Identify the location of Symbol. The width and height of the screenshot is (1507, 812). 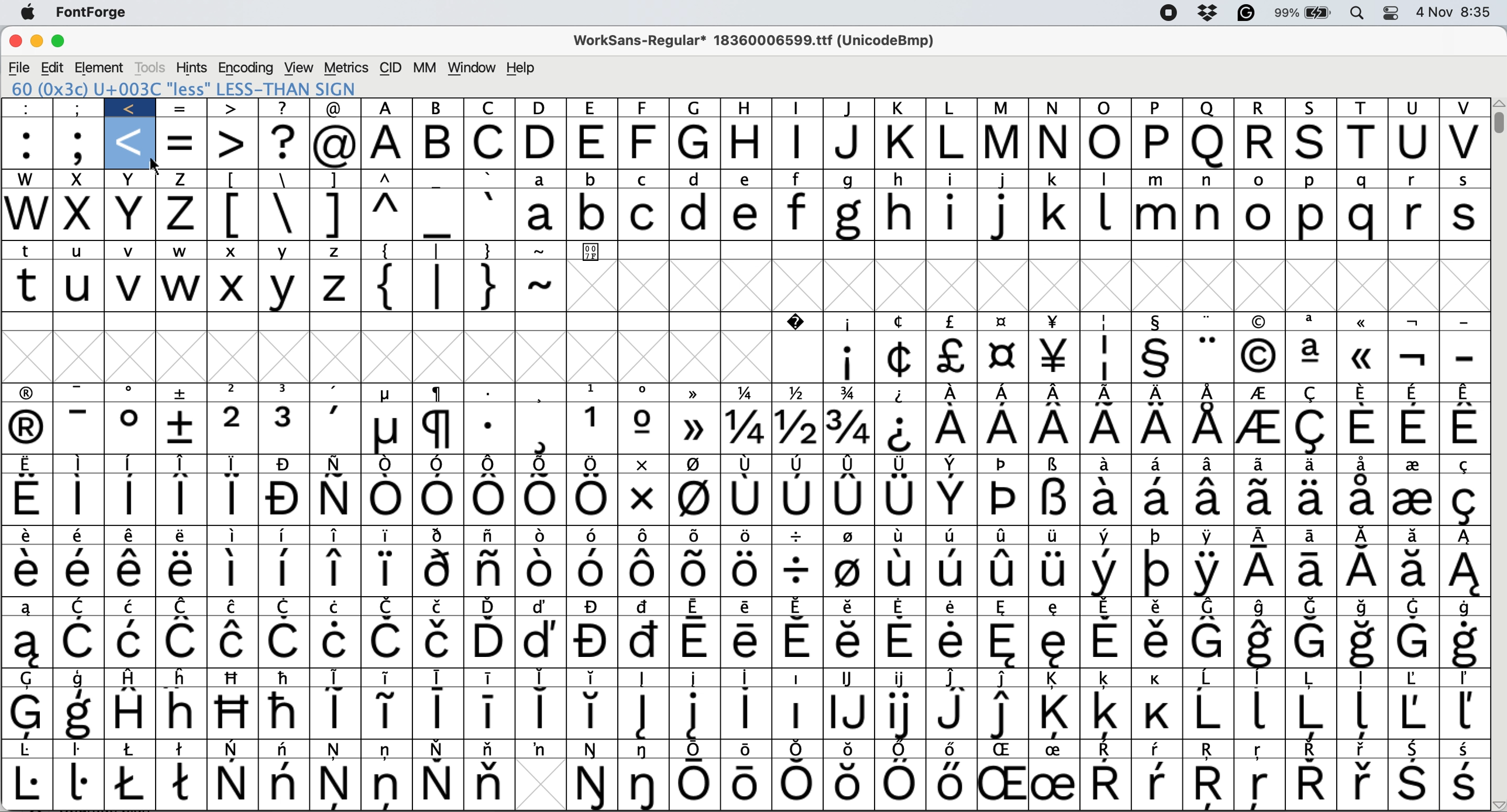
(1055, 713).